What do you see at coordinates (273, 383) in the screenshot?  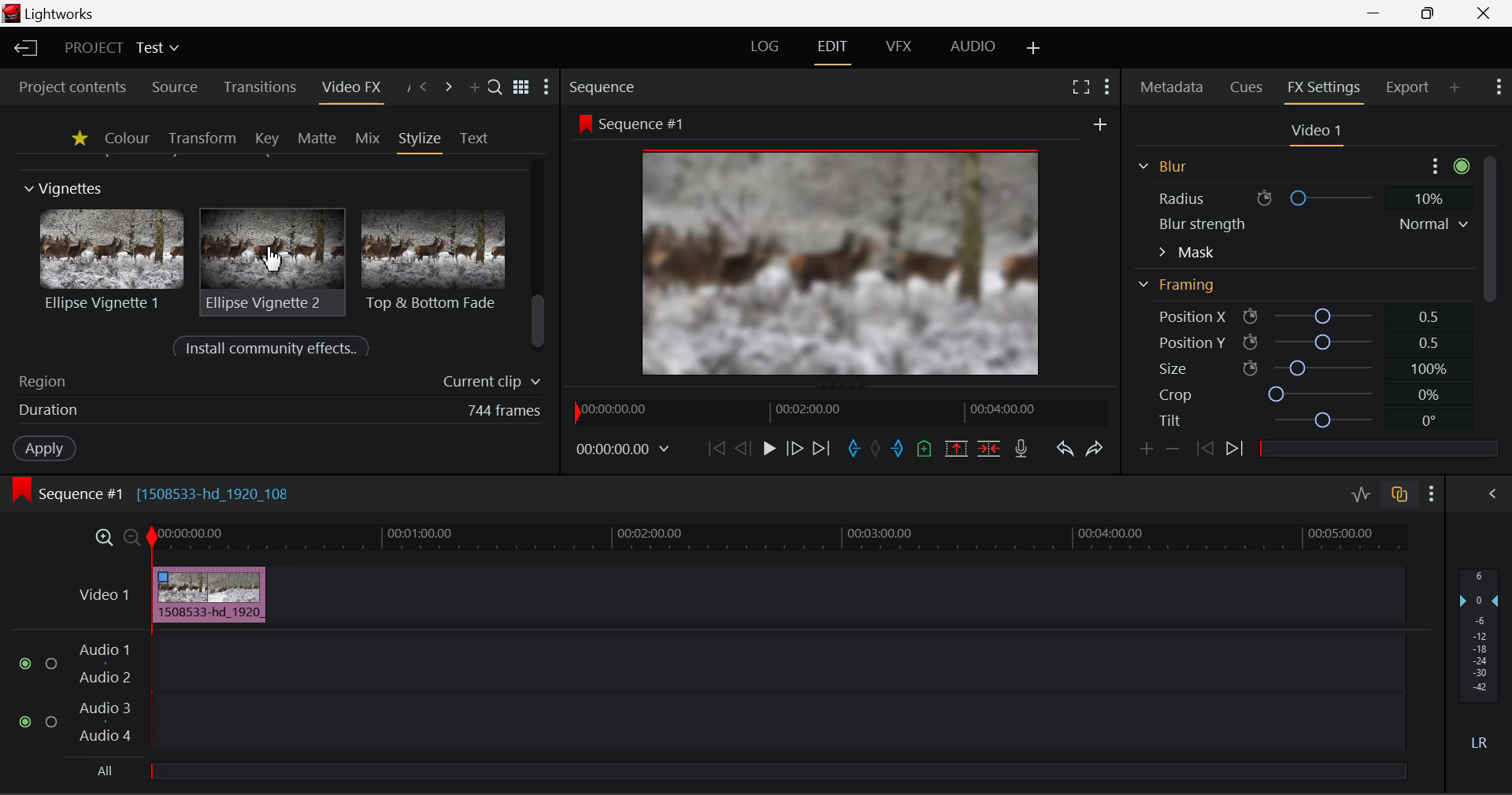 I see `Region of Effect` at bounding box center [273, 383].